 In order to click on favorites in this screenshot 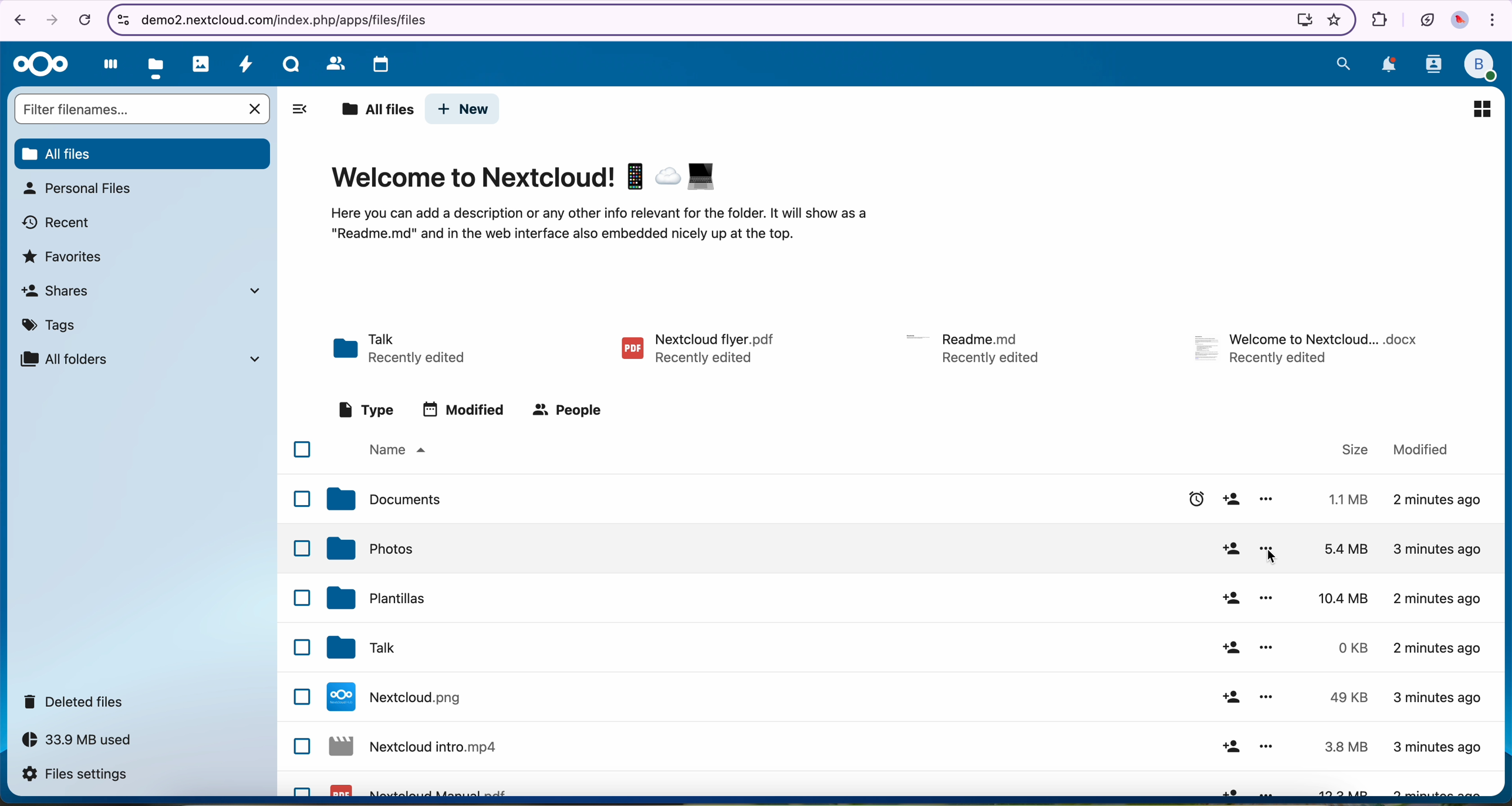, I will do `click(1331, 19)`.